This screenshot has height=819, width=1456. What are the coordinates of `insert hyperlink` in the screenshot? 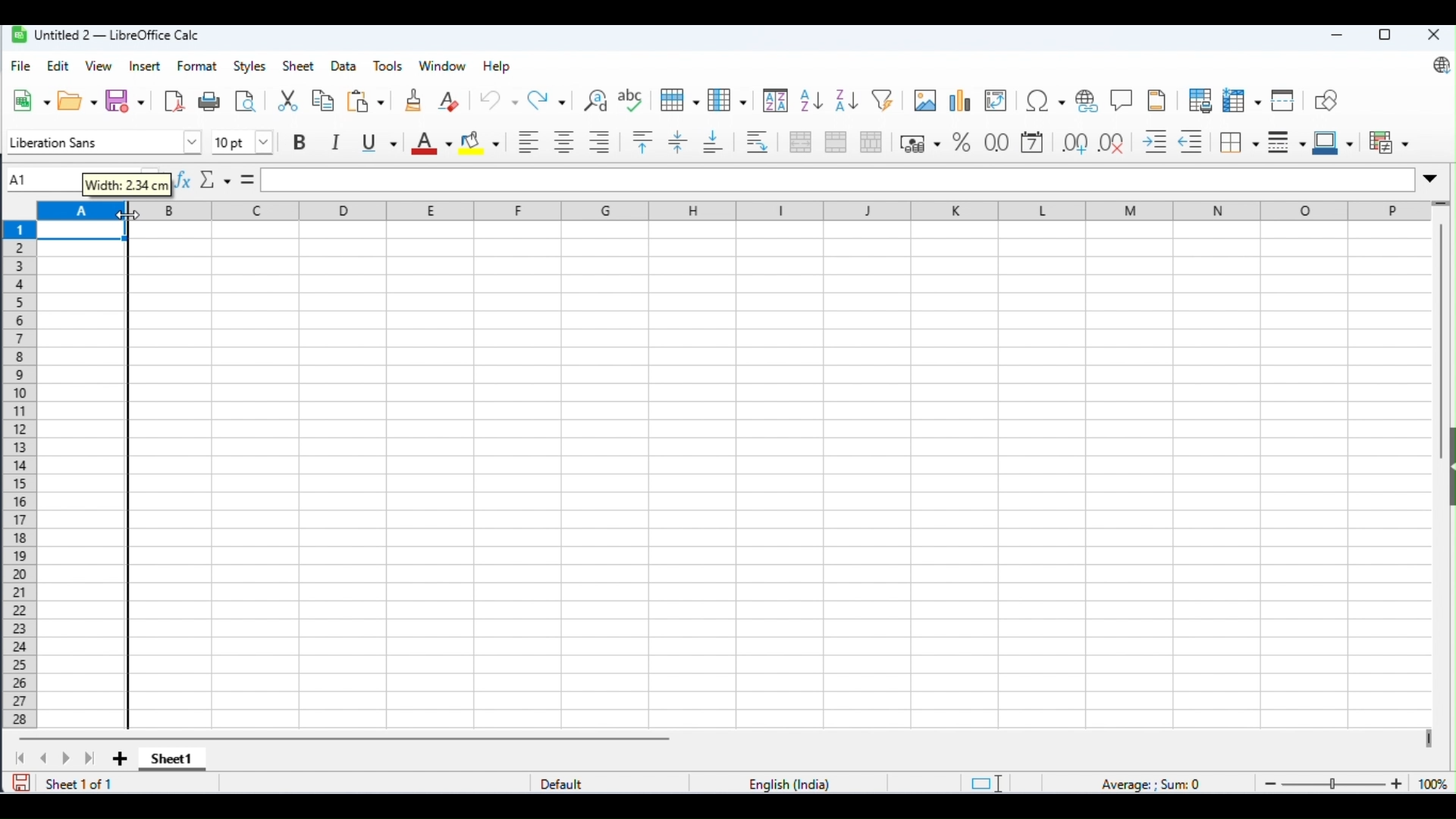 It's located at (1090, 101).